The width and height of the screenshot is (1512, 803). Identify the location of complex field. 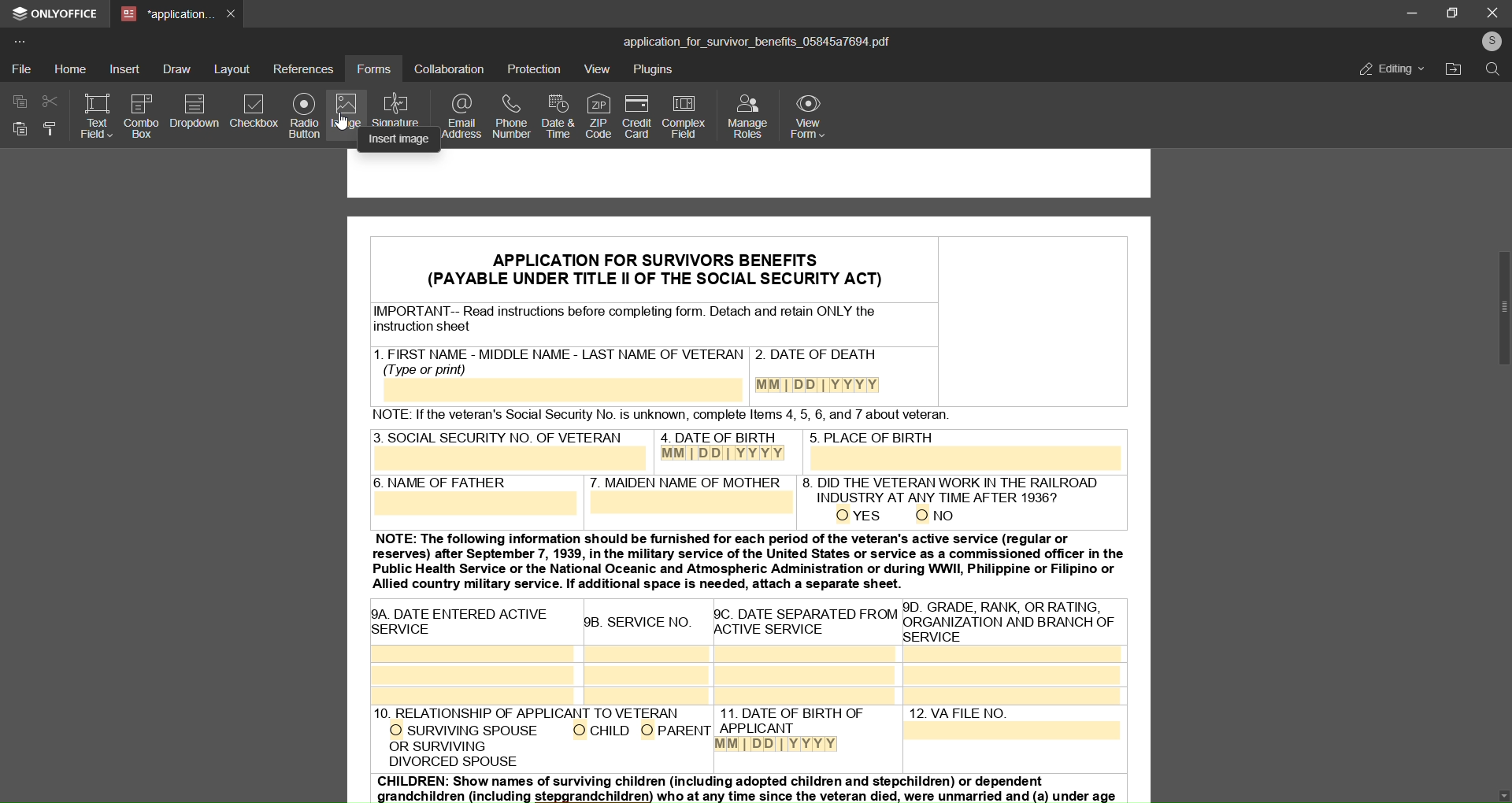
(682, 118).